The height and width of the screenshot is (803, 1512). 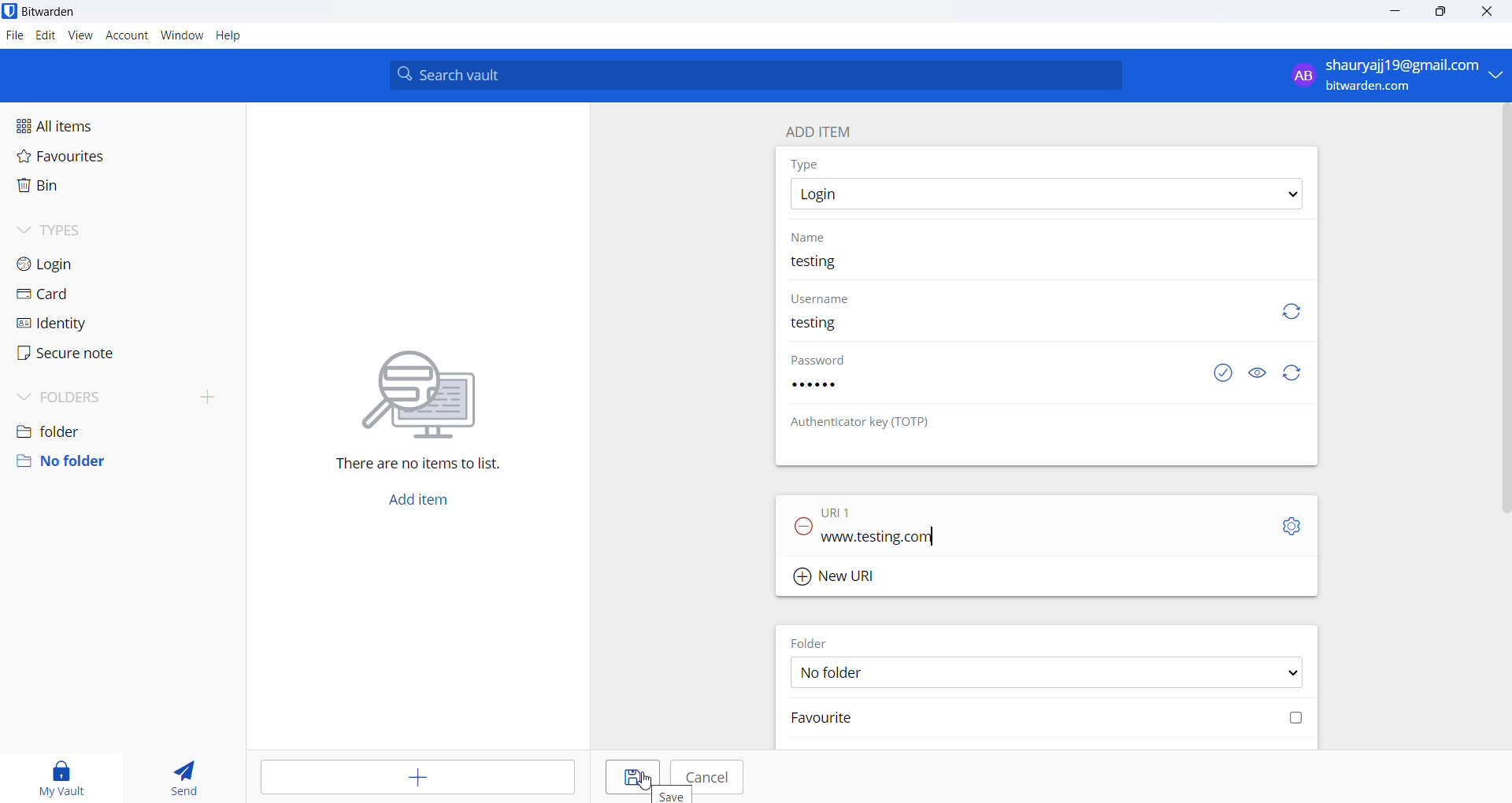 I want to click on search bar, so click(x=755, y=74).